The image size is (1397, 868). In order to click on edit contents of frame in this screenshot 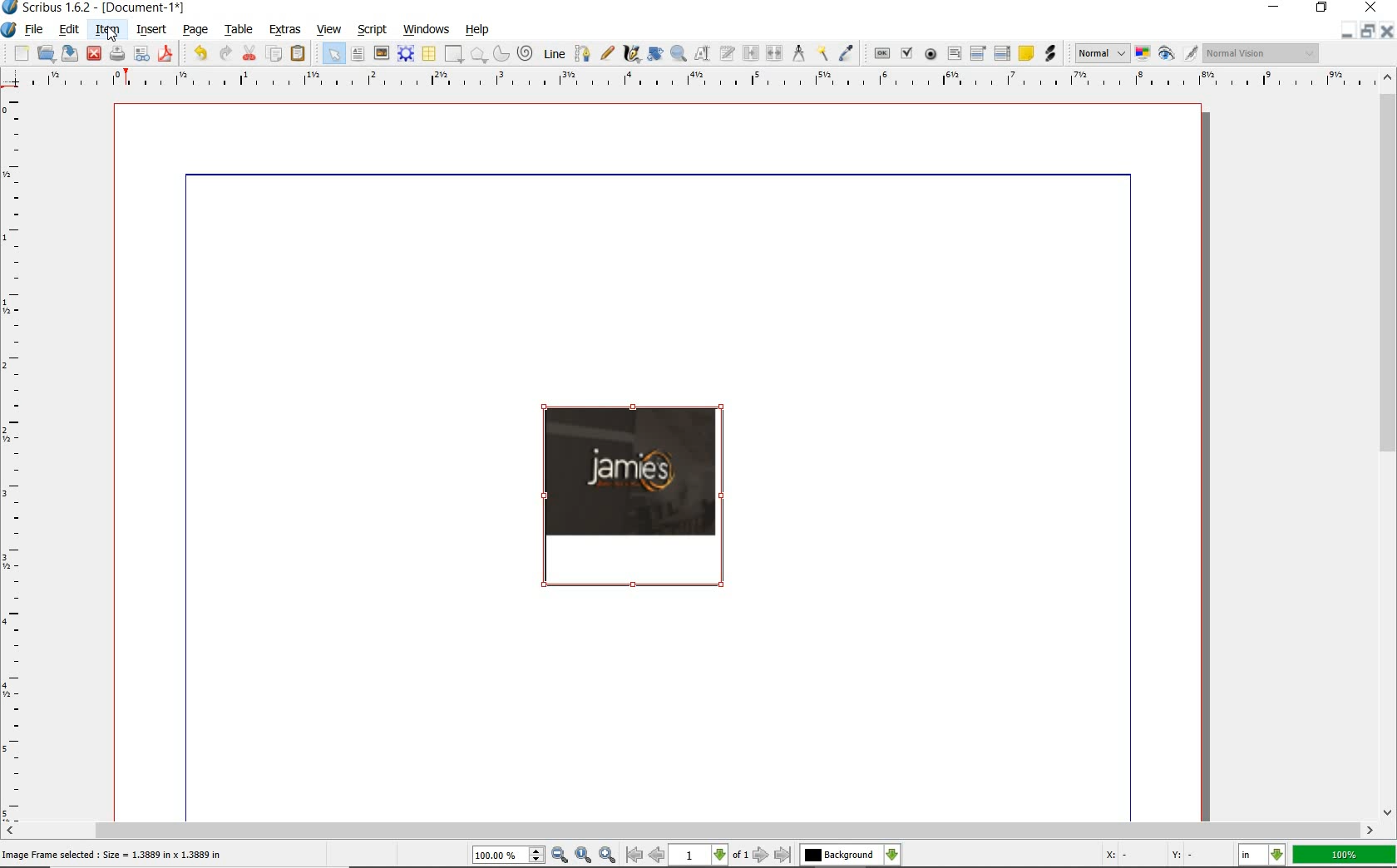, I will do `click(654, 54)`.